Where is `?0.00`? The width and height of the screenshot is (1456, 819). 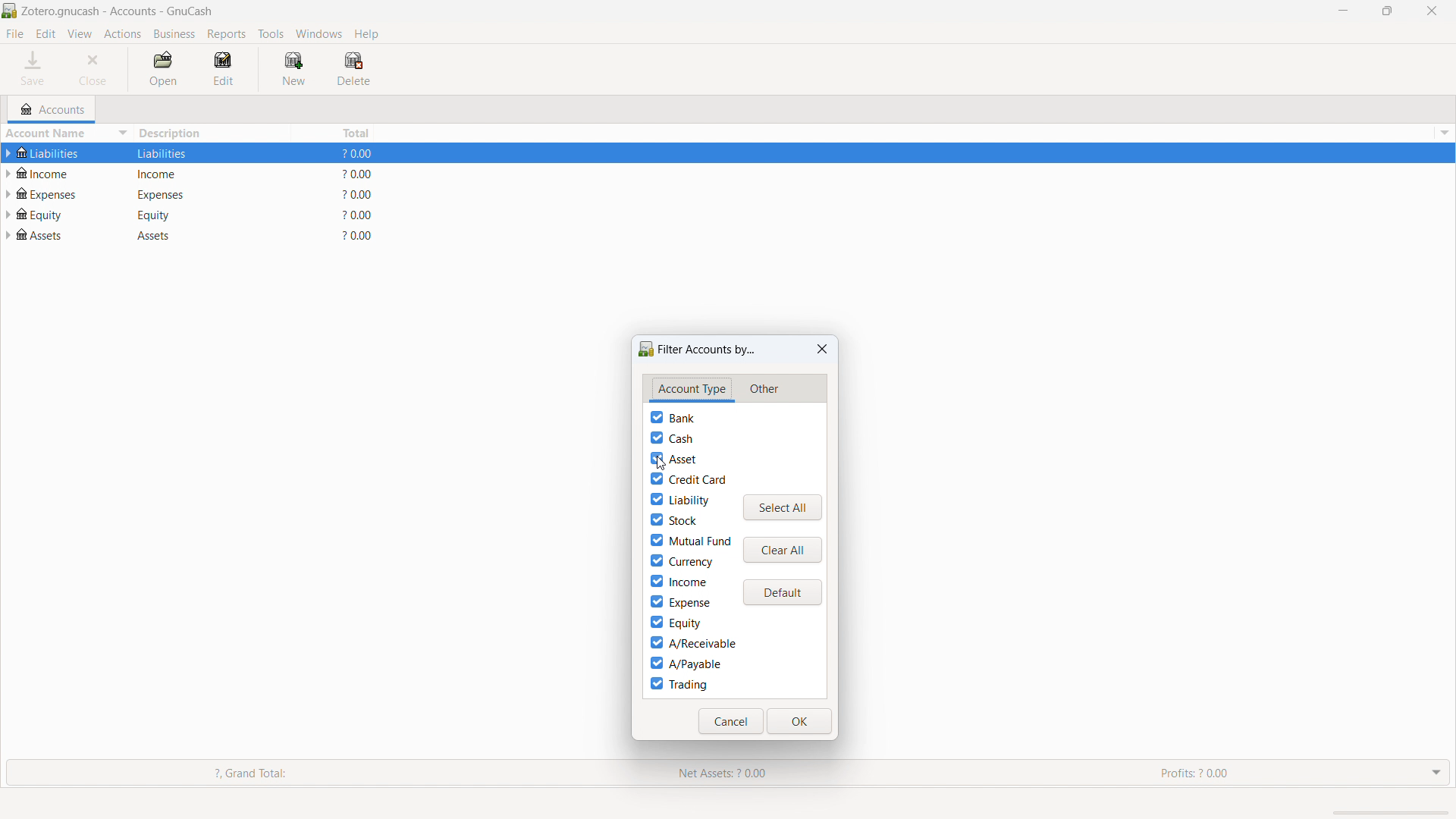 ?0.00 is located at coordinates (359, 194).